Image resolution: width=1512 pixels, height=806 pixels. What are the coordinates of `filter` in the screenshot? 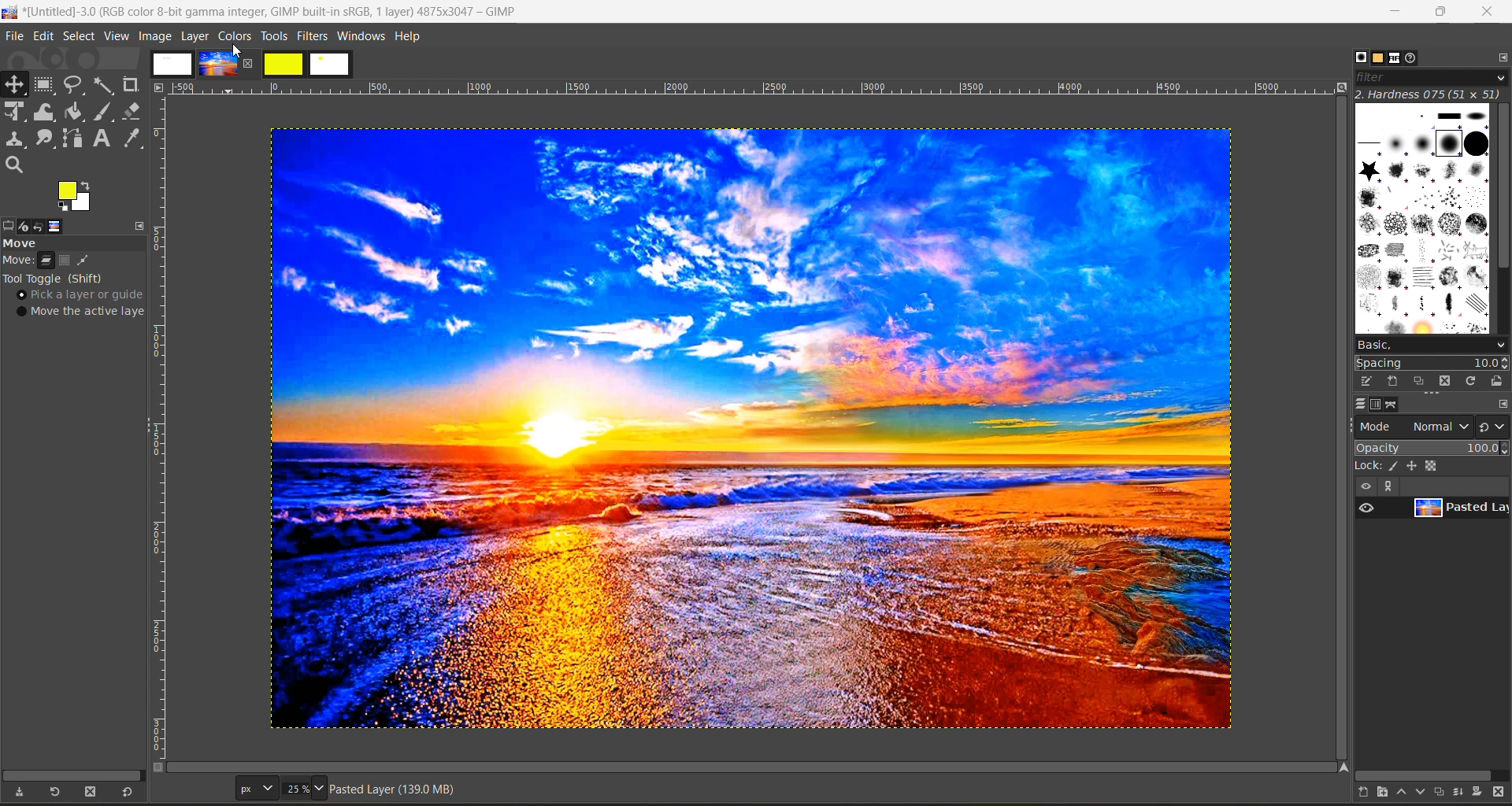 It's located at (1432, 77).